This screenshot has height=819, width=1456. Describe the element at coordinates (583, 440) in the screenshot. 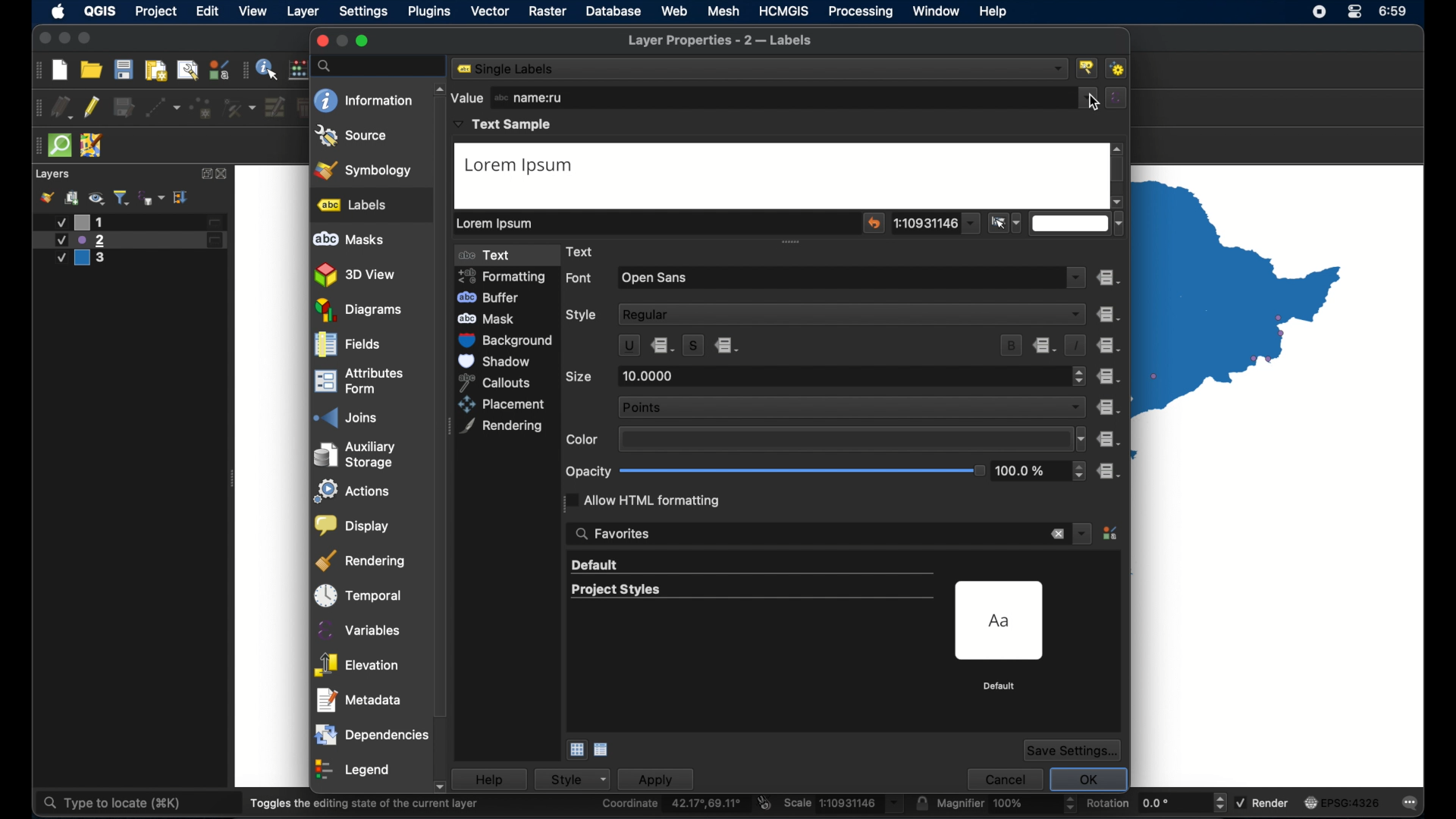

I see `color` at that location.